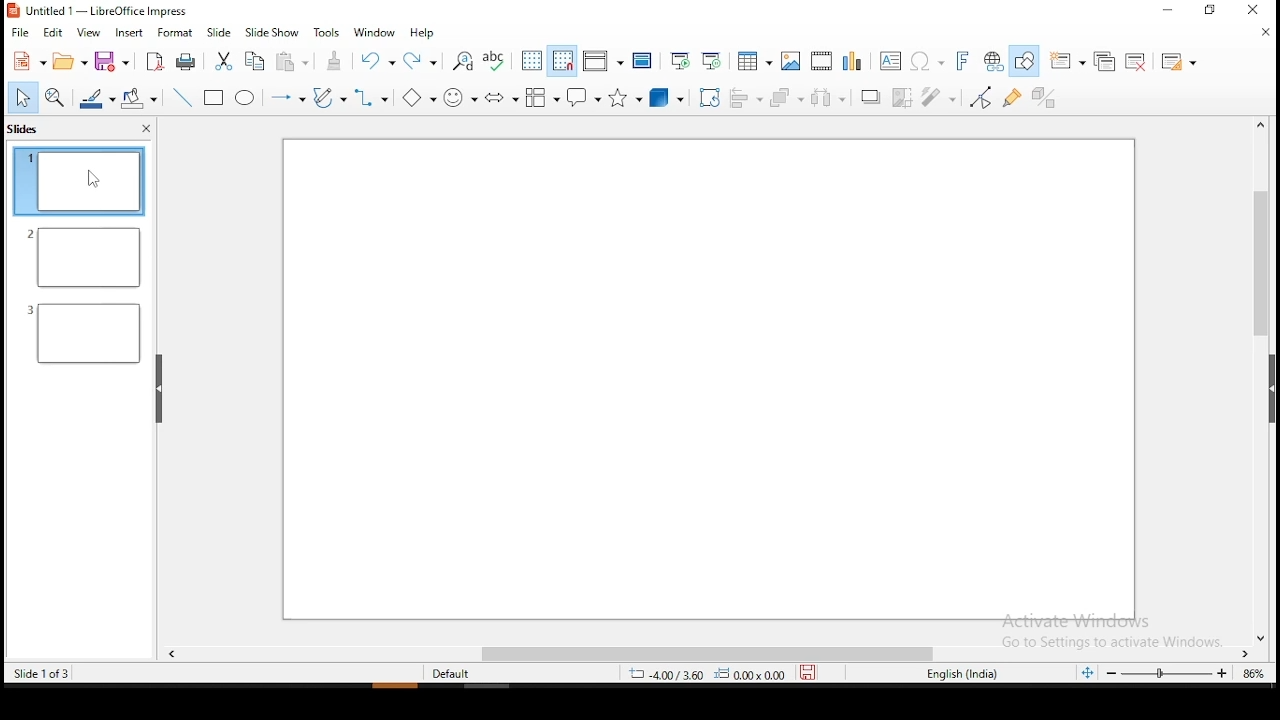  I want to click on callout shape, so click(586, 98).